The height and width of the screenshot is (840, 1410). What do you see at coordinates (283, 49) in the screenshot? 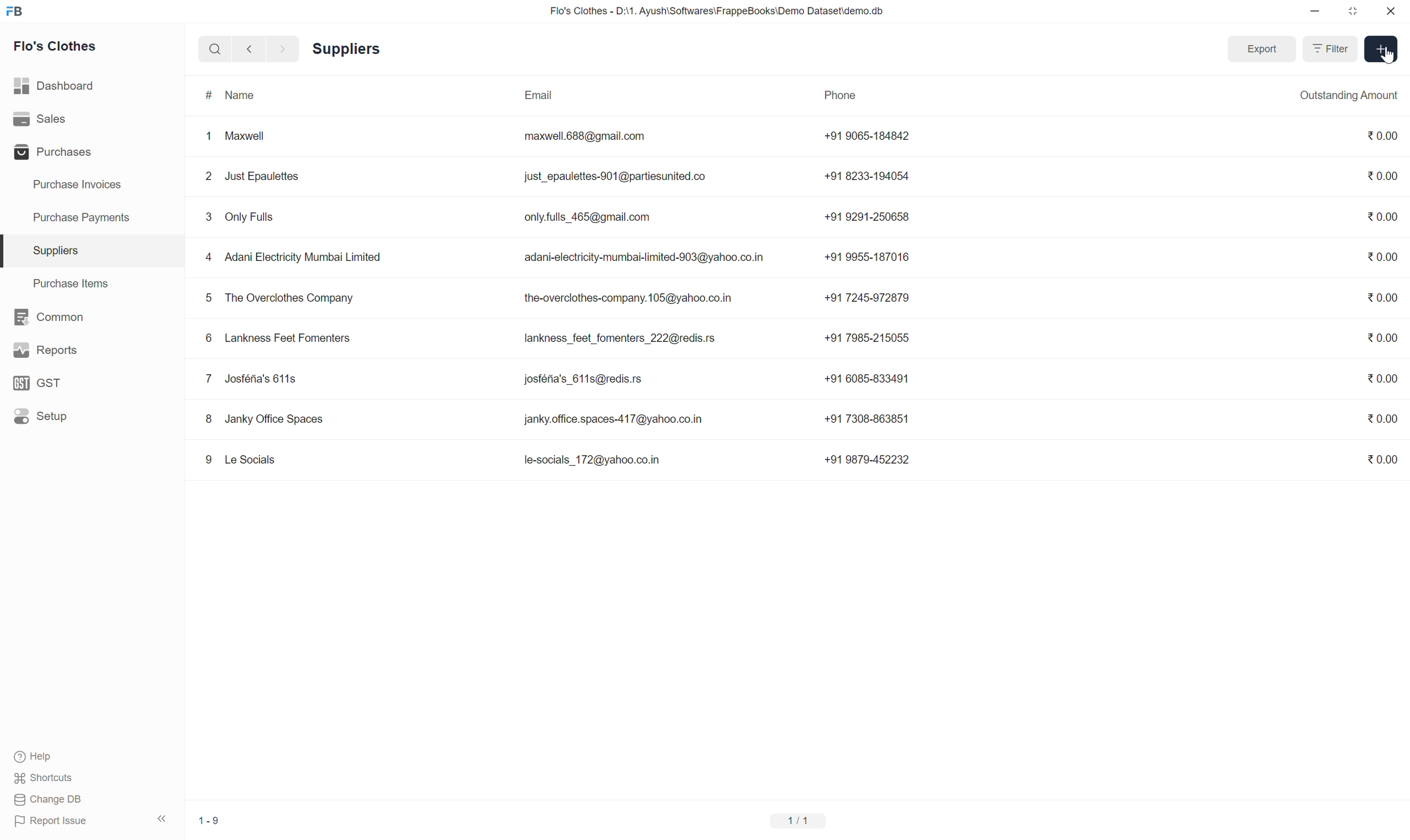
I see `Next` at bounding box center [283, 49].